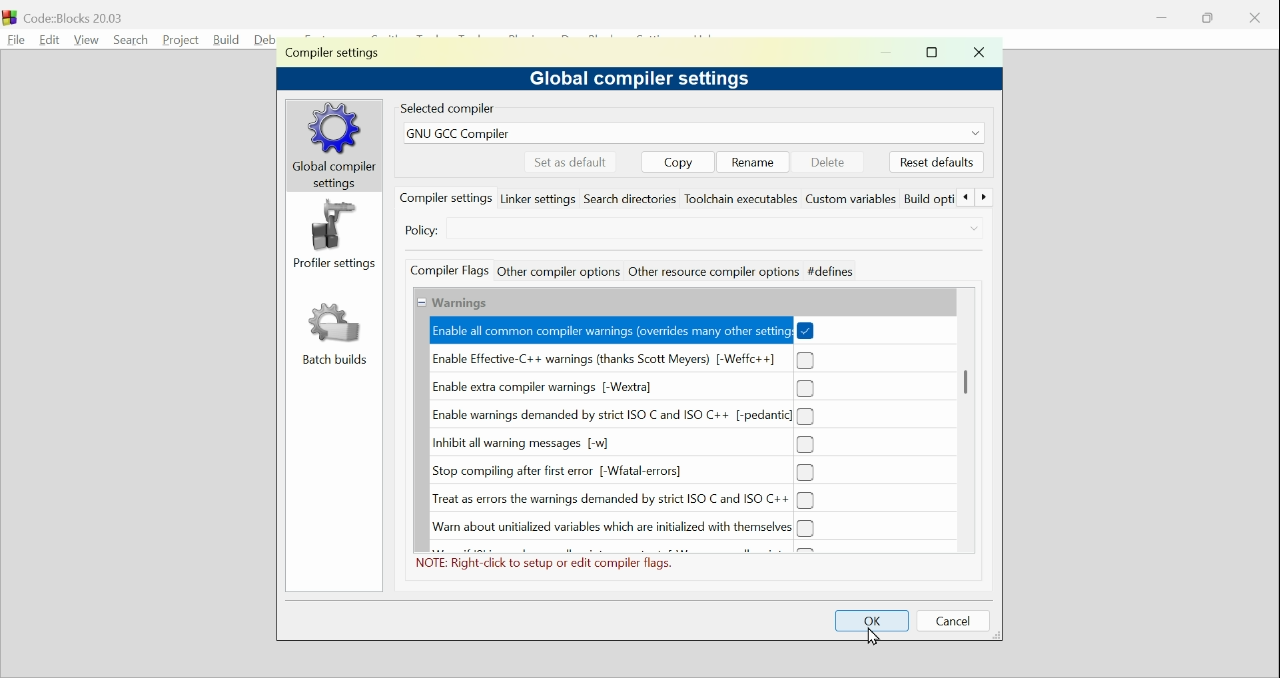 This screenshot has width=1280, height=678. I want to click on defines, so click(830, 271).